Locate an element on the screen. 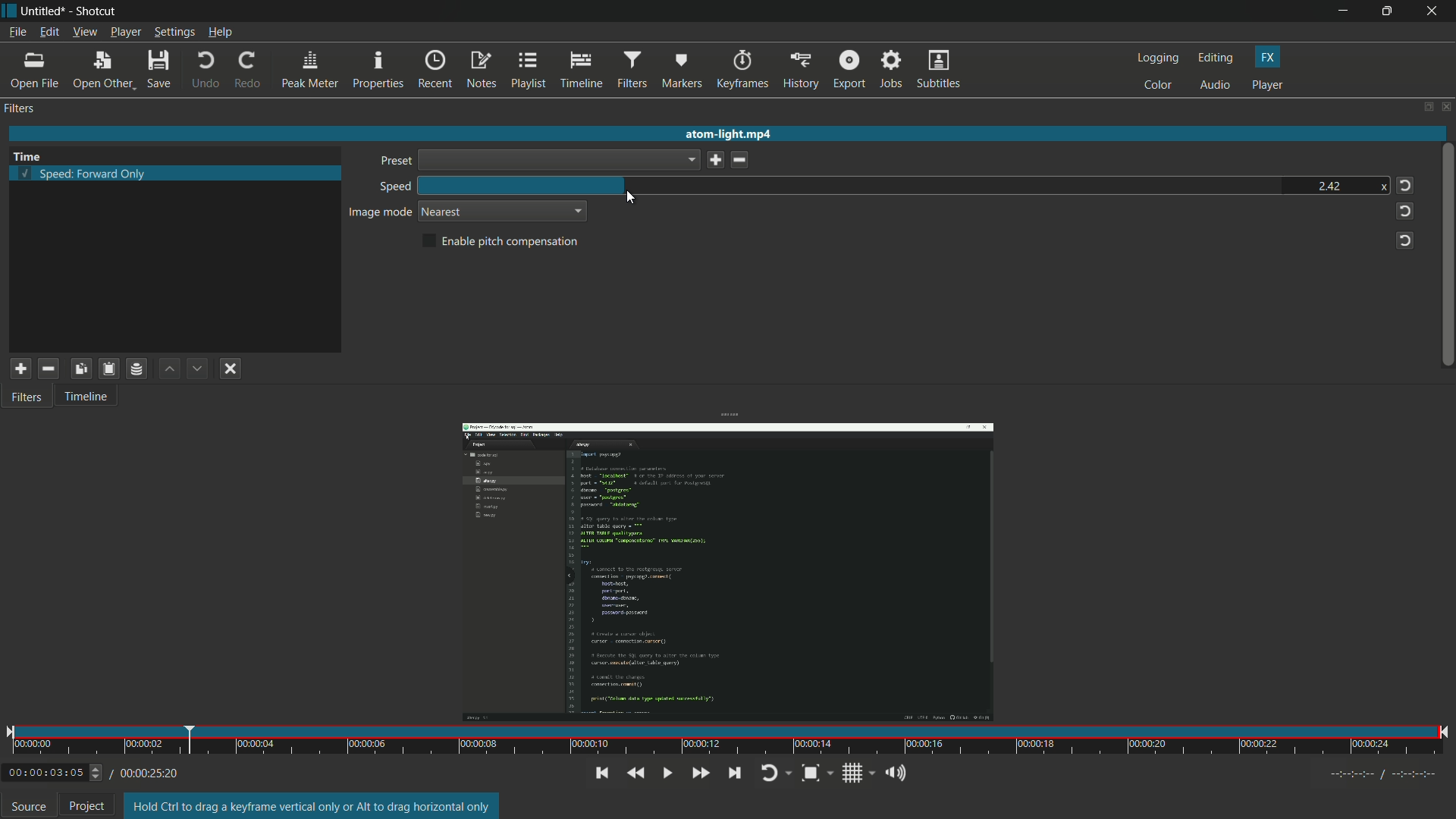 This screenshot has width=1456, height=819. skip to the previous point is located at coordinates (600, 773).